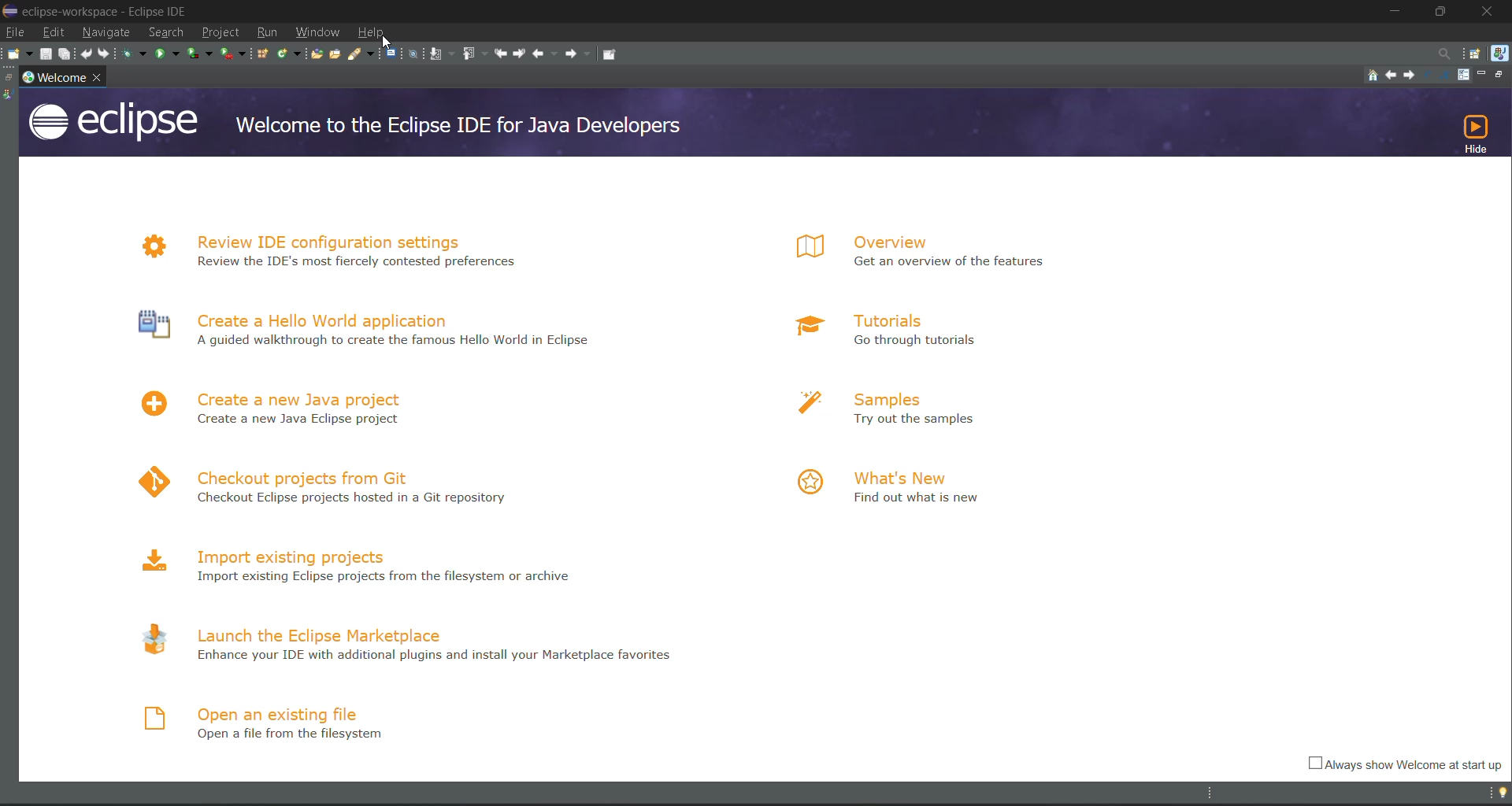 This screenshot has width=1512, height=806. Describe the element at coordinates (577, 54) in the screenshot. I see `forward` at that location.